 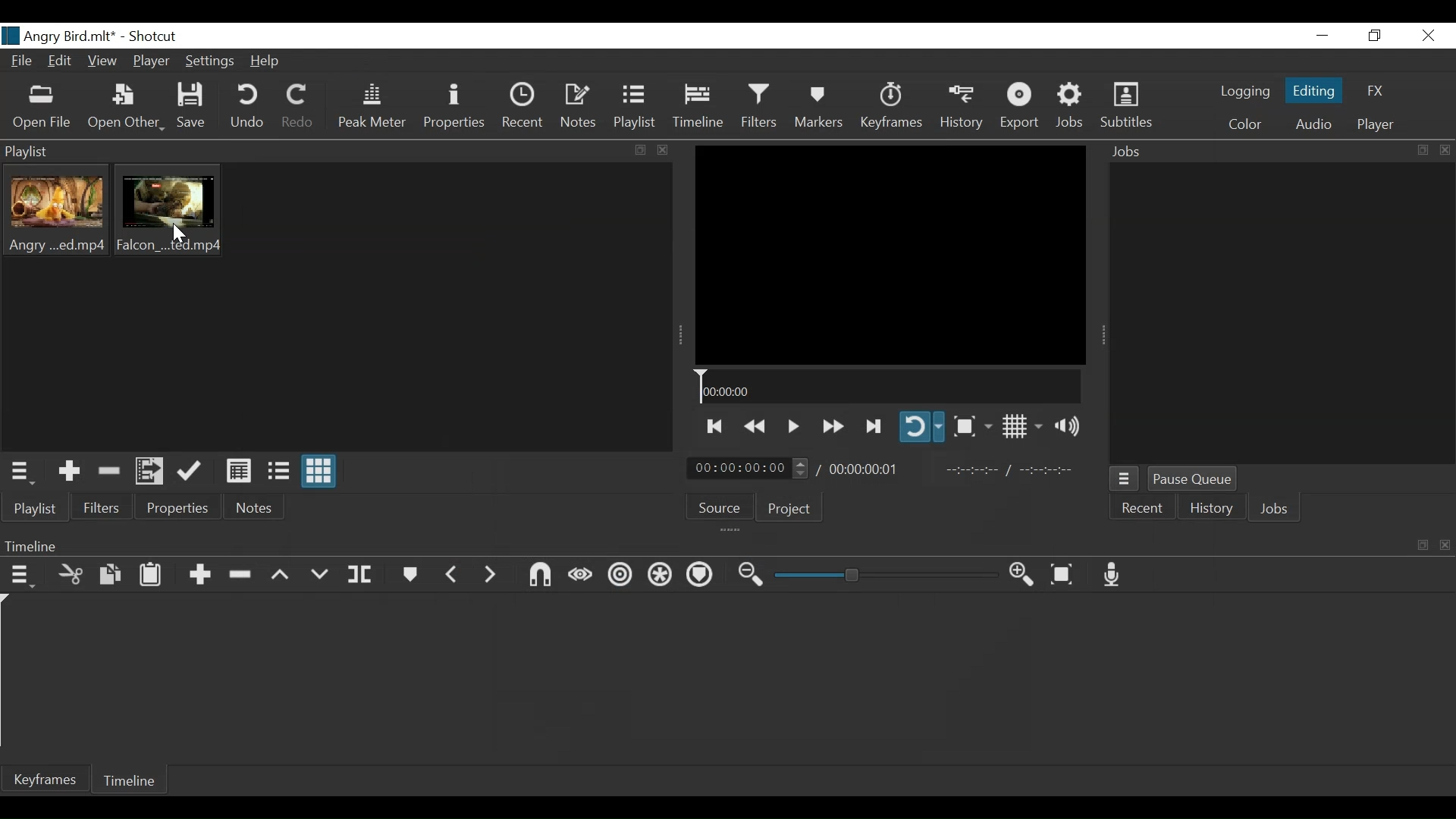 I want to click on Jobs Menu, so click(x=1122, y=480).